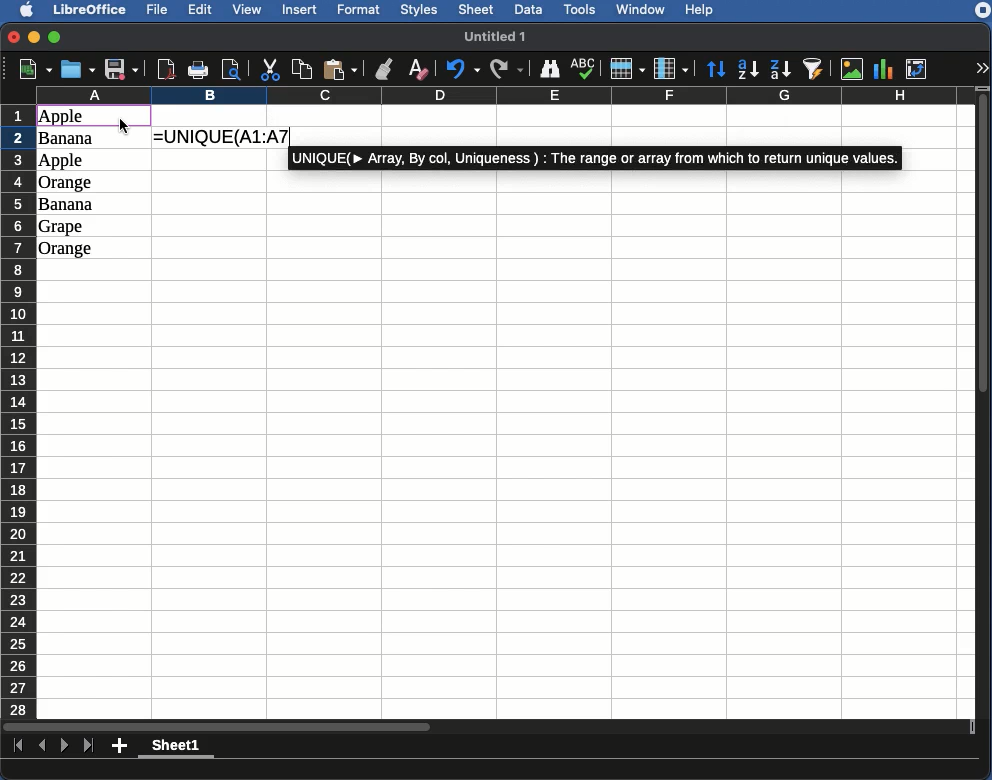  What do you see at coordinates (67, 183) in the screenshot?
I see `Orange` at bounding box center [67, 183].